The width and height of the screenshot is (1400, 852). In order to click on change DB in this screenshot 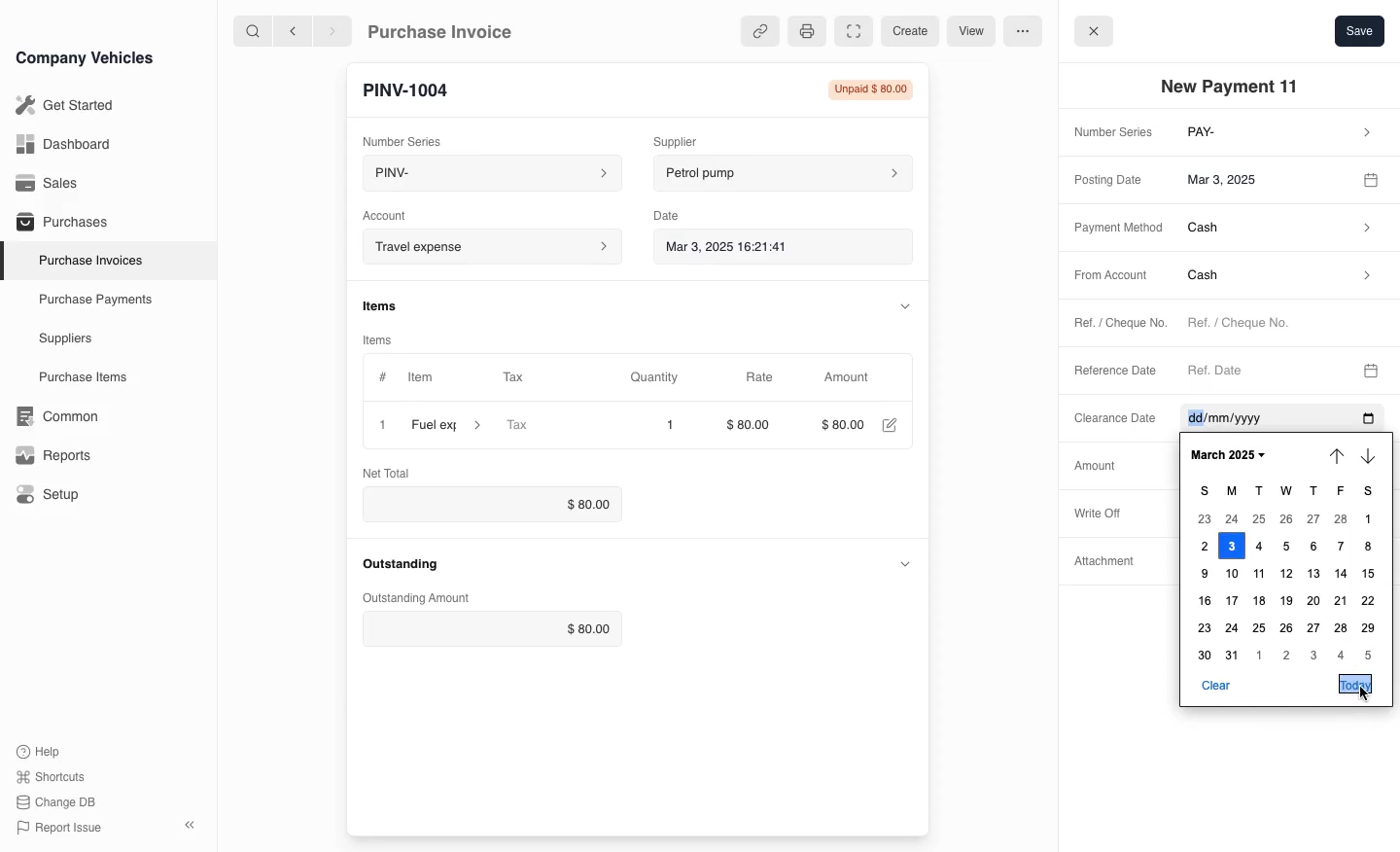, I will do `click(58, 802)`.